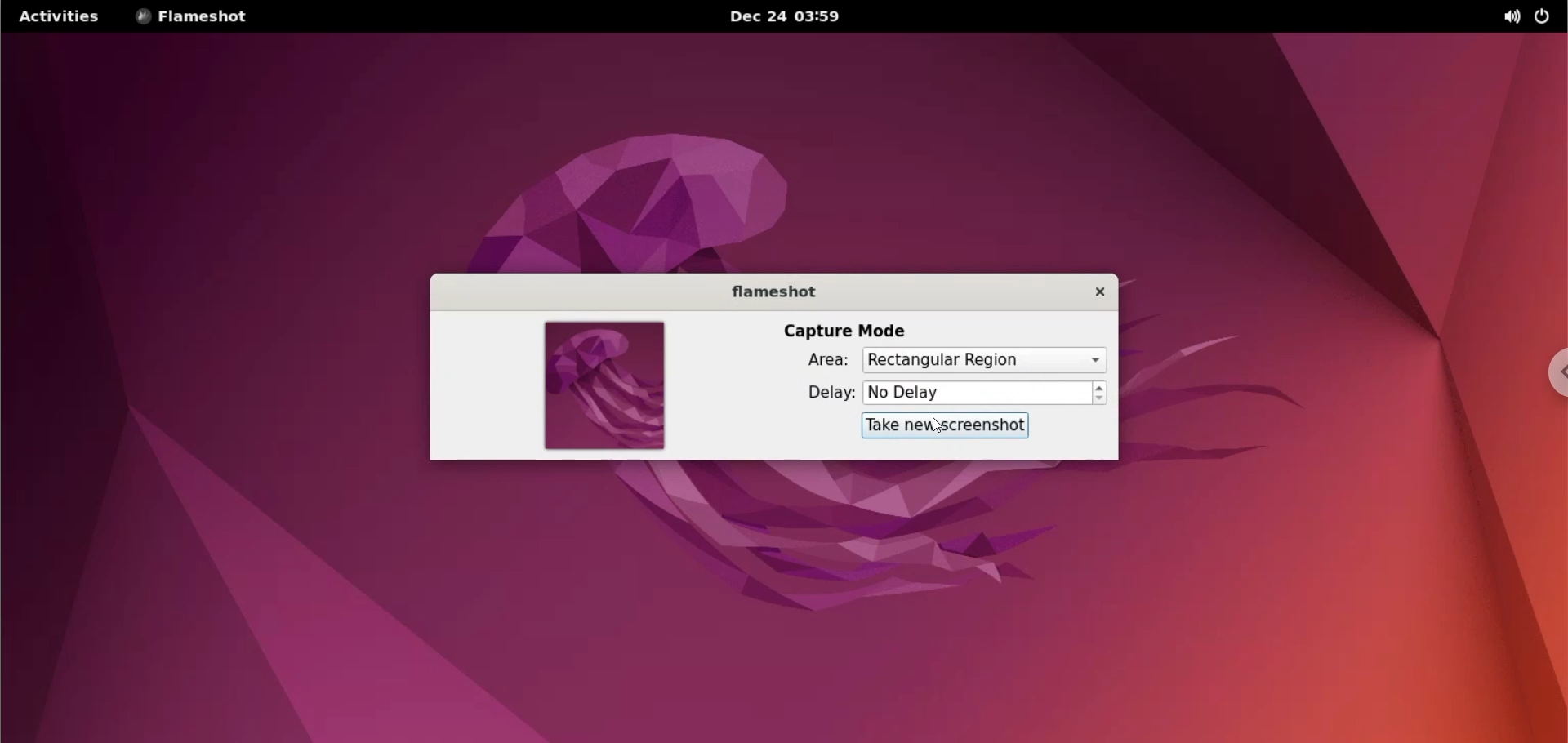 The width and height of the screenshot is (1568, 743). Describe the element at coordinates (847, 331) in the screenshot. I see `capture mode label` at that location.